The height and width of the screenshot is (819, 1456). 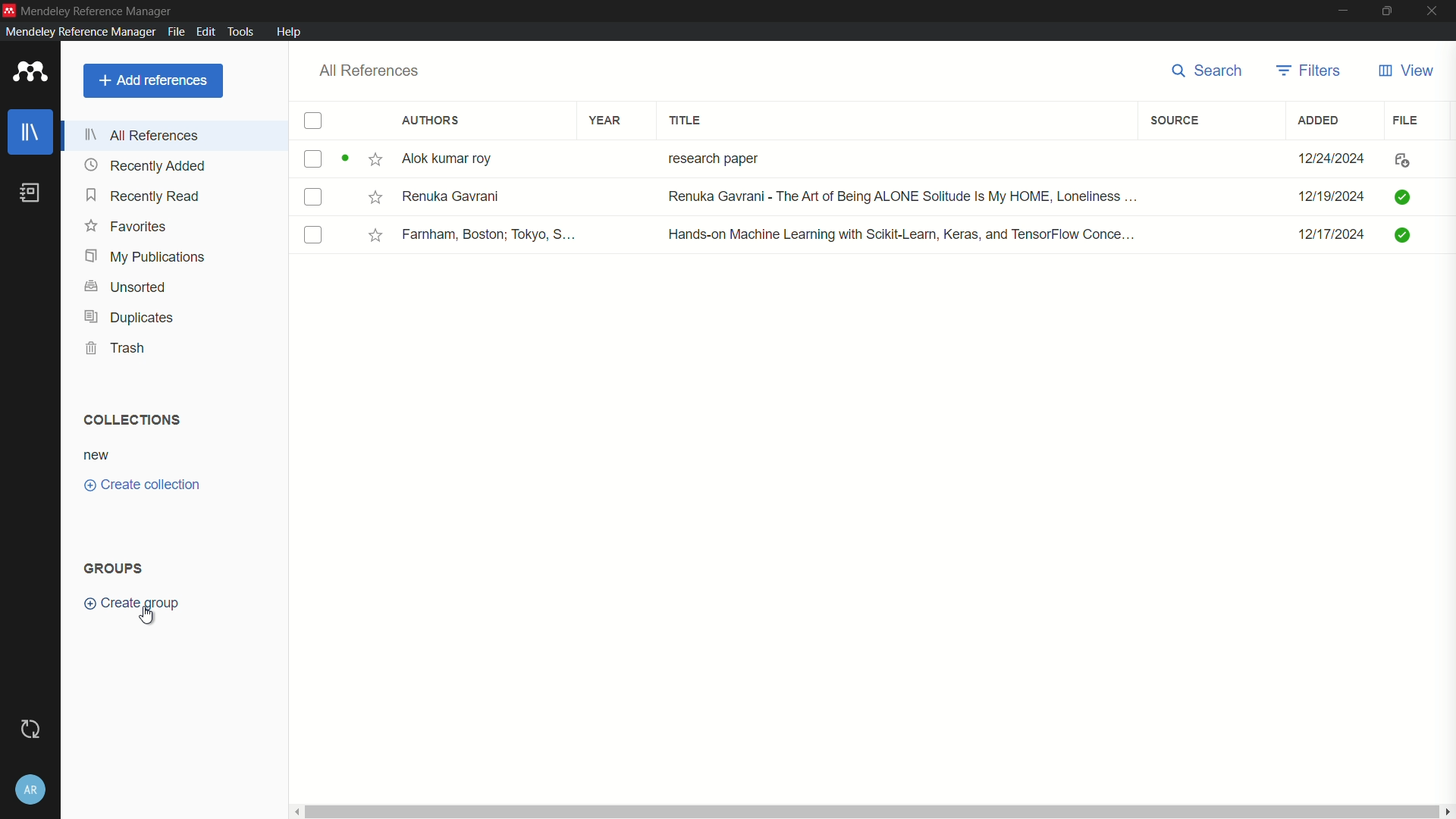 What do you see at coordinates (97, 455) in the screenshot?
I see `new` at bounding box center [97, 455].